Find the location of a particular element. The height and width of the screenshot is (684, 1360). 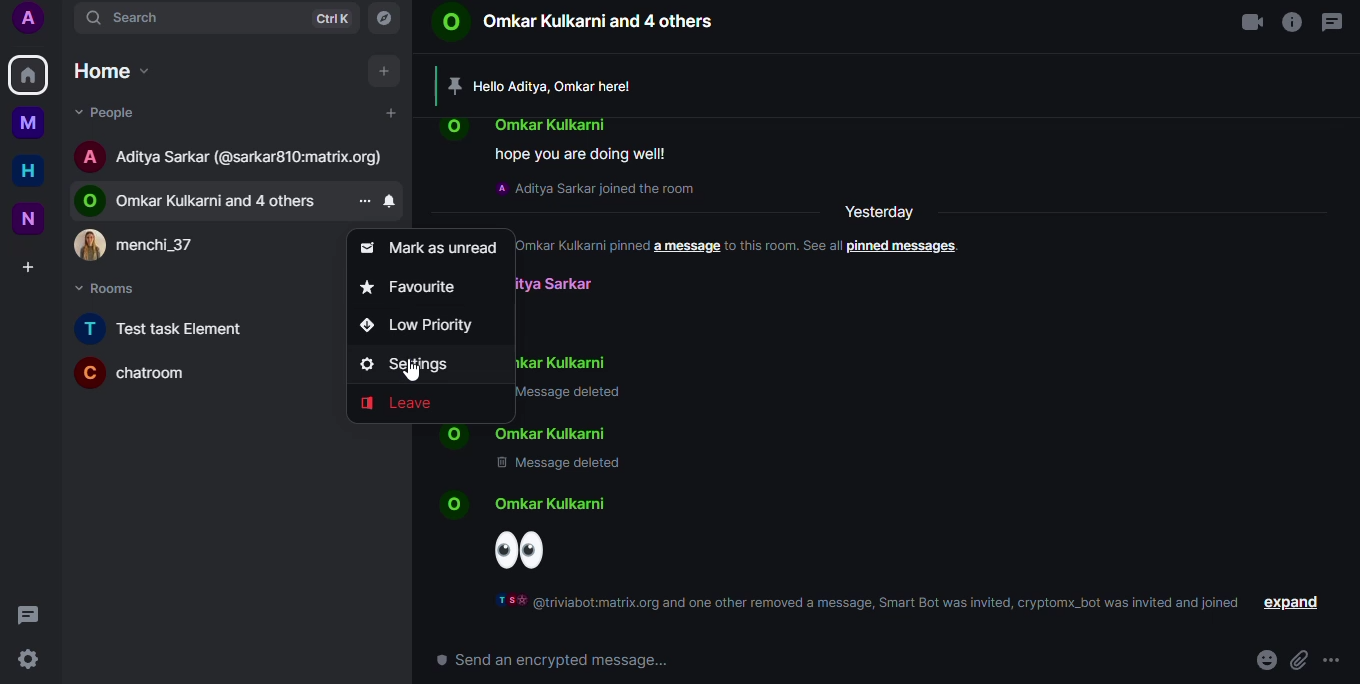

emoji is located at coordinates (1263, 661).